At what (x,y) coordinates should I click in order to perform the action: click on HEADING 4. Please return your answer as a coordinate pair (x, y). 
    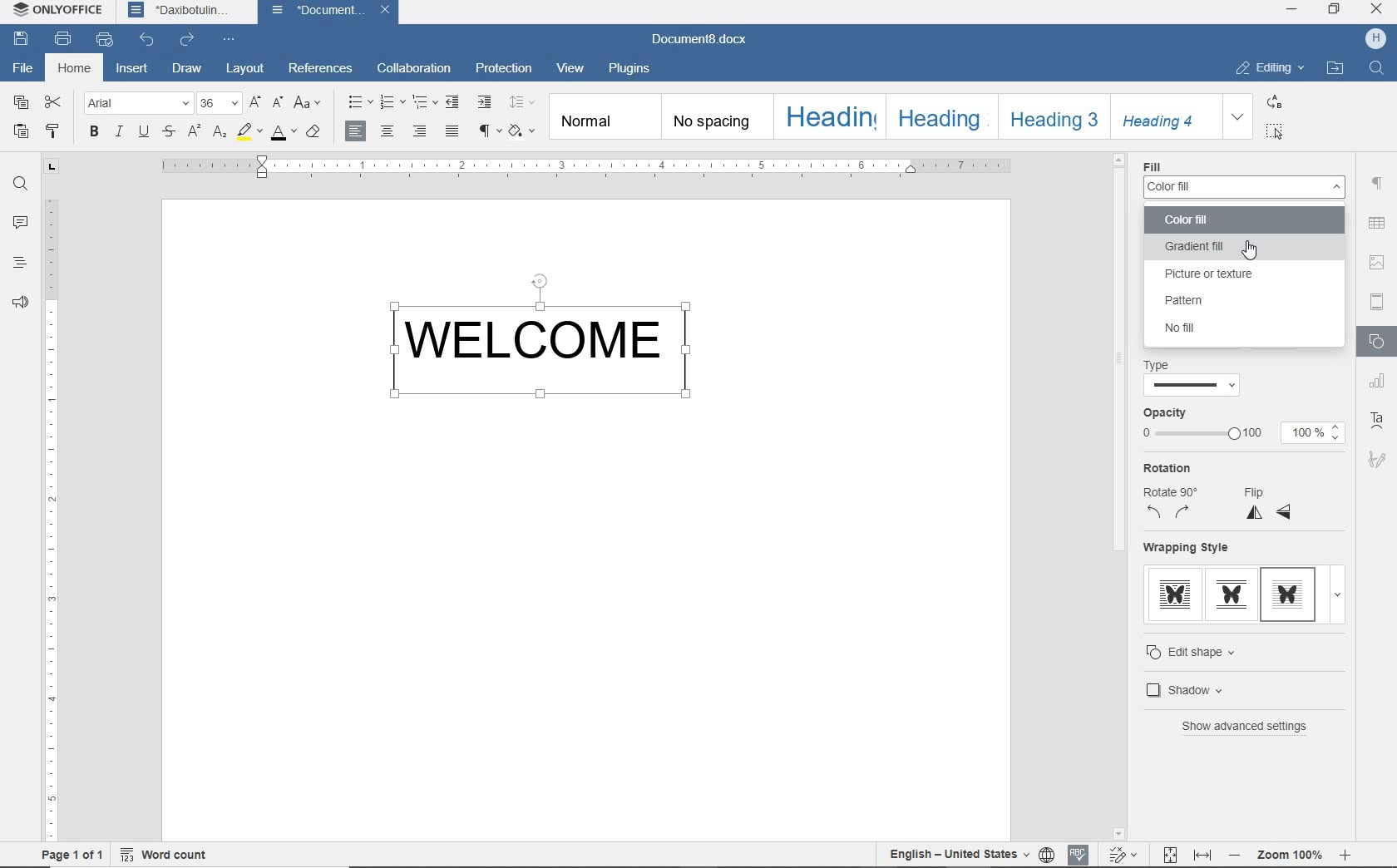
    Looking at the image, I should click on (1162, 116).